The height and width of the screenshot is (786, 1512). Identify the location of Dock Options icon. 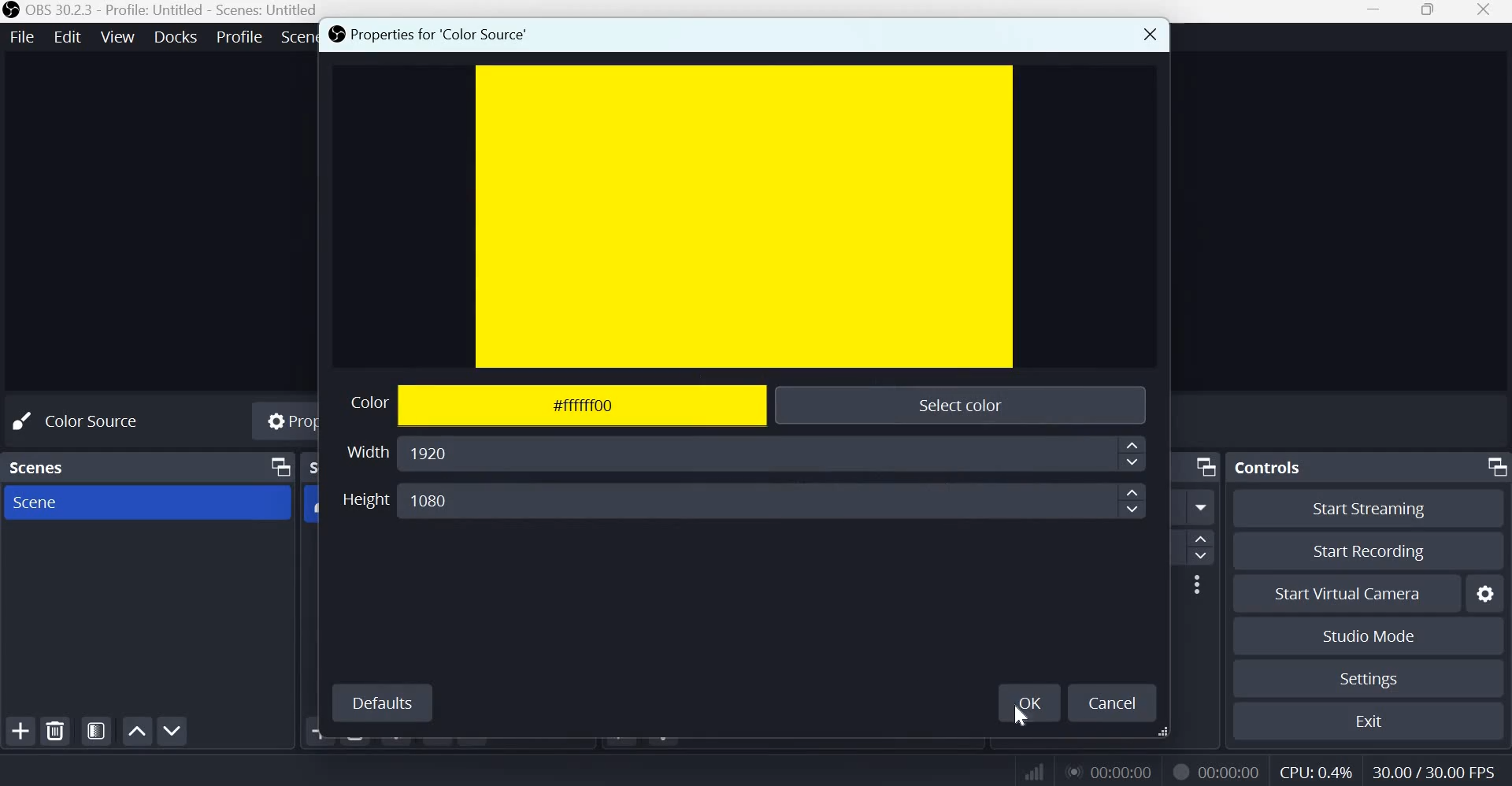
(1493, 465).